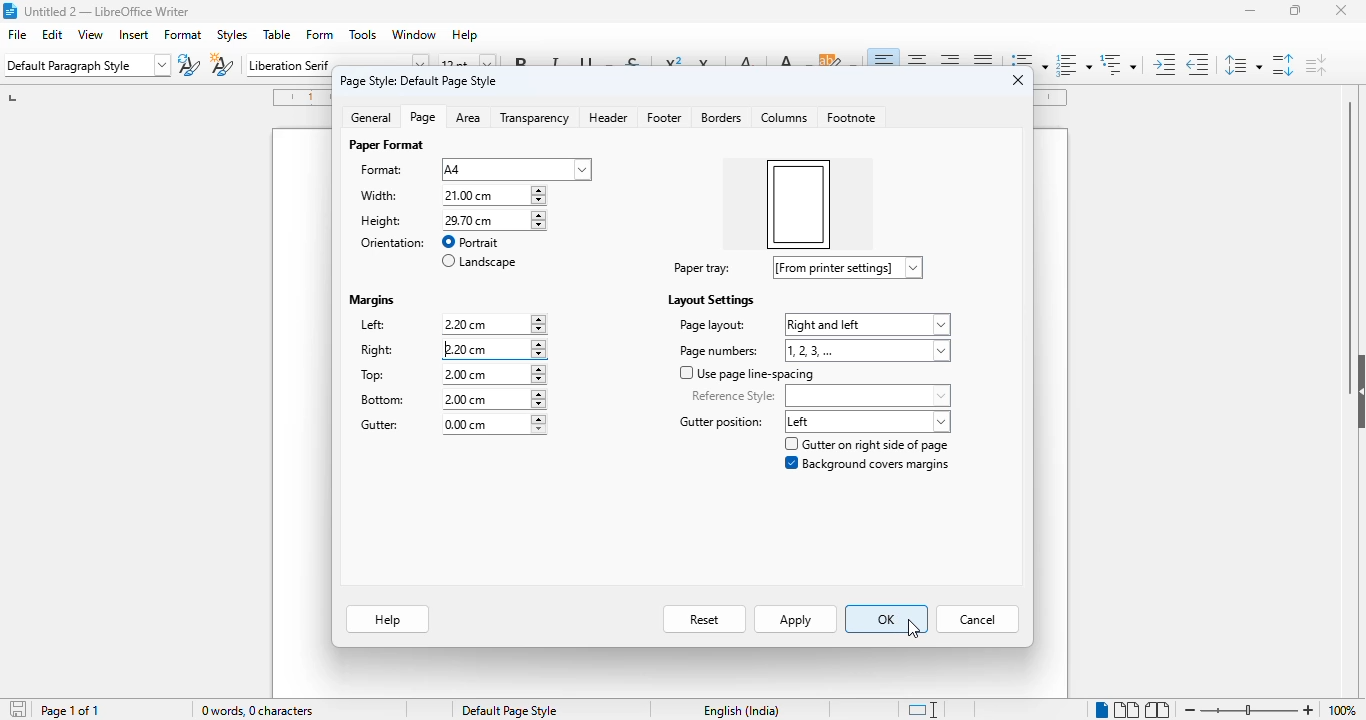  I want to click on format options dropdown, so click(517, 171).